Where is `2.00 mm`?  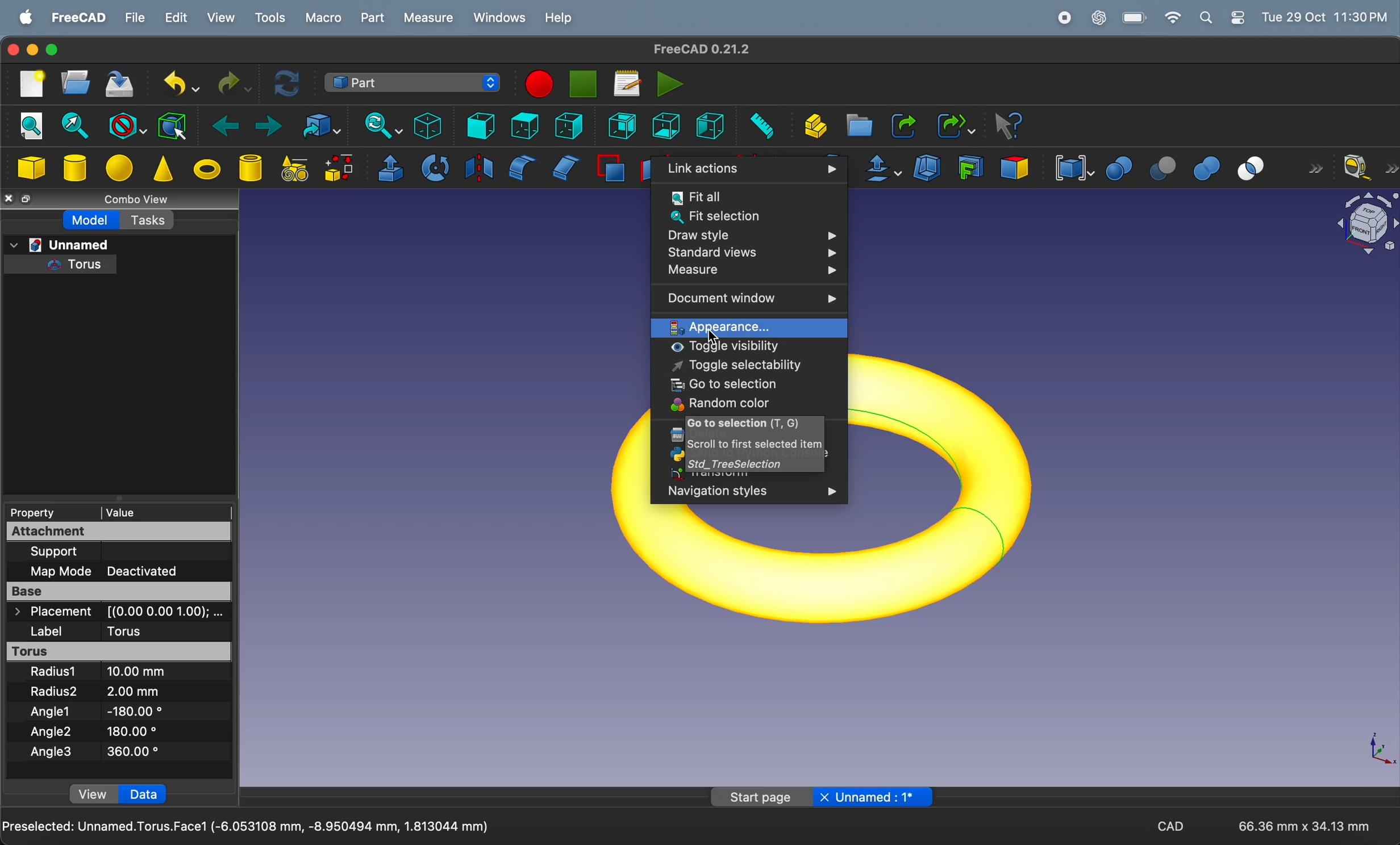
2.00 mm is located at coordinates (133, 692).